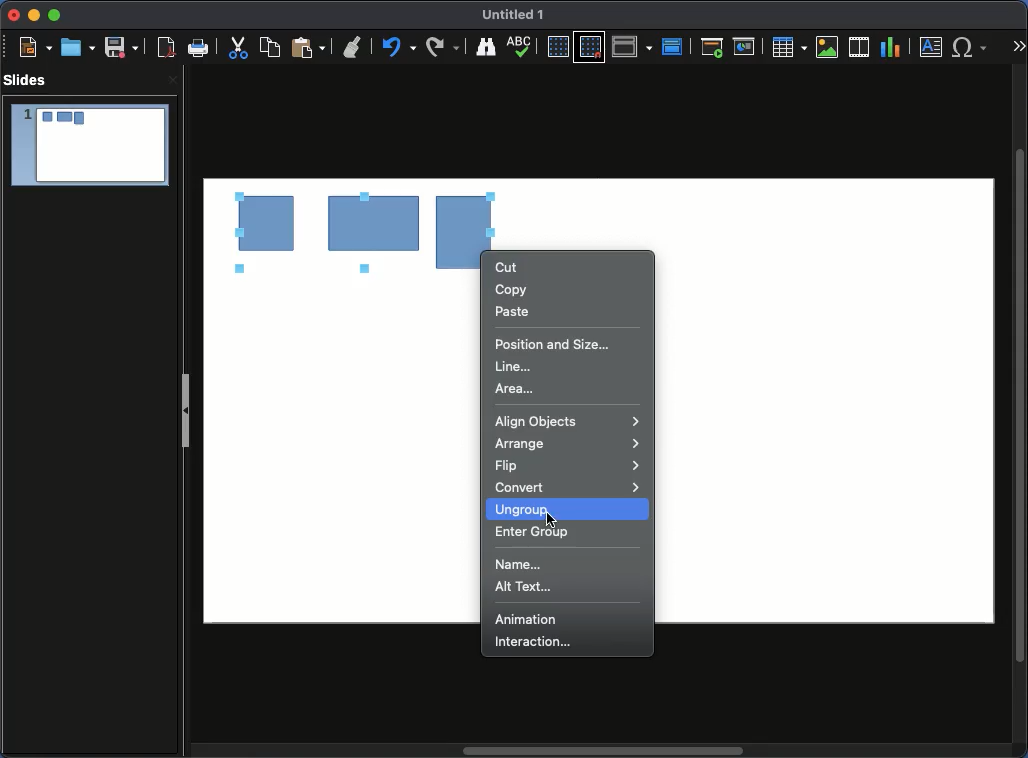  I want to click on Cut, so click(239, 49).